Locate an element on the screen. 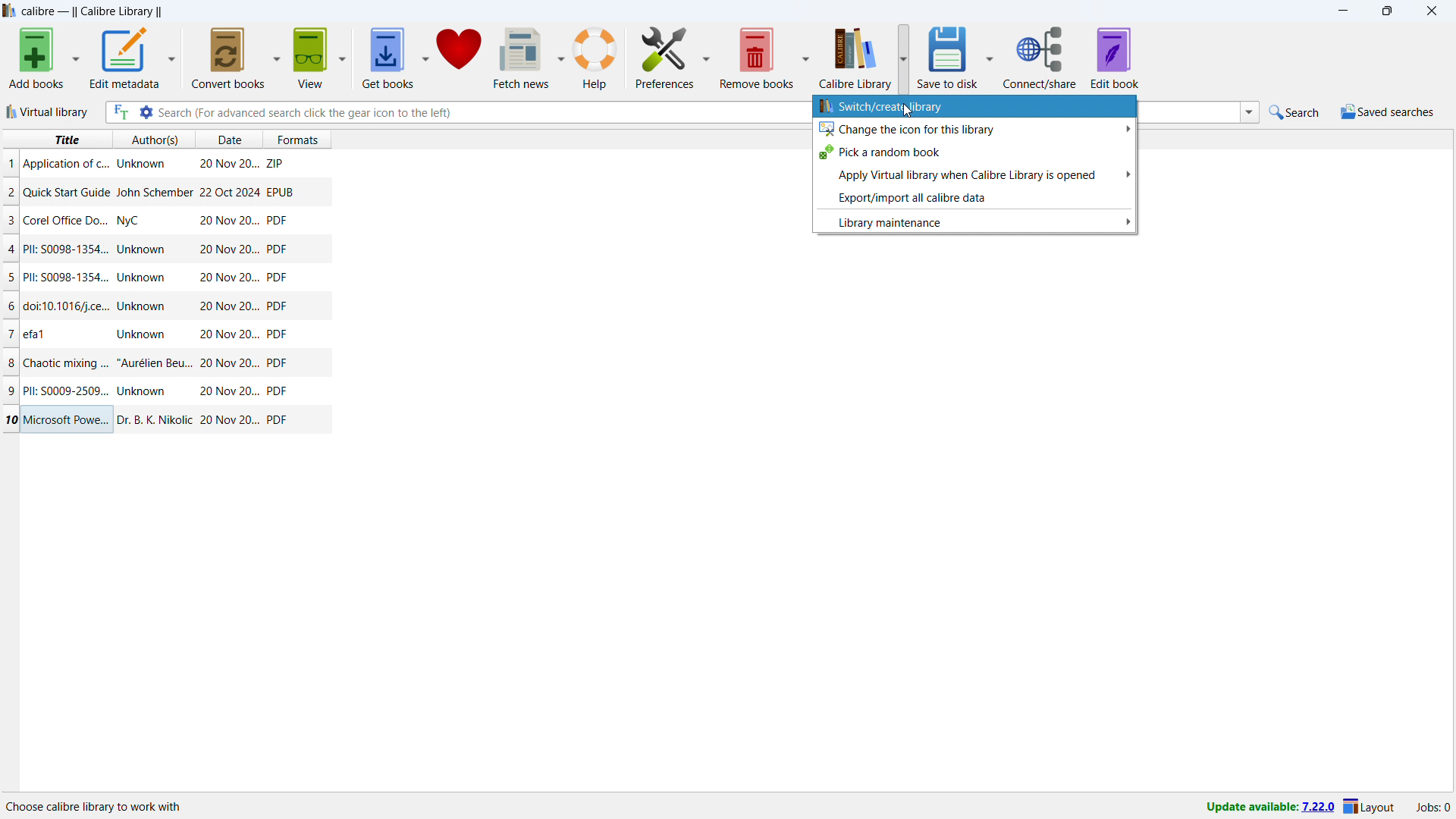 This screenshot has width=1456, height=819. view is located at coordinates (310, 58).